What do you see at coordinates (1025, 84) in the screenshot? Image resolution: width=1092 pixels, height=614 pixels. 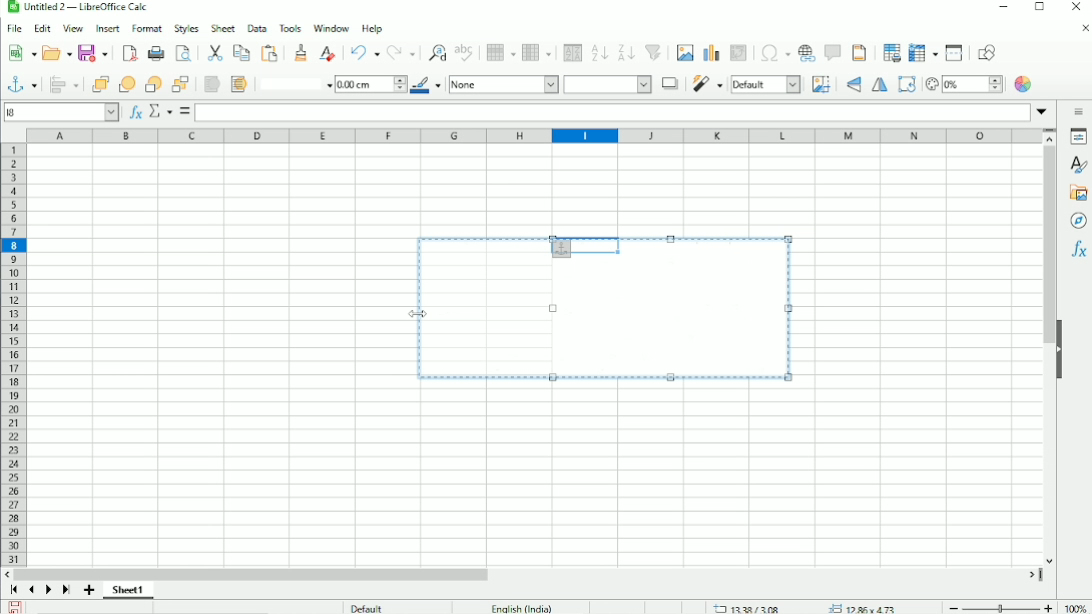 I see `Color` at bounding box center [1025, 84].